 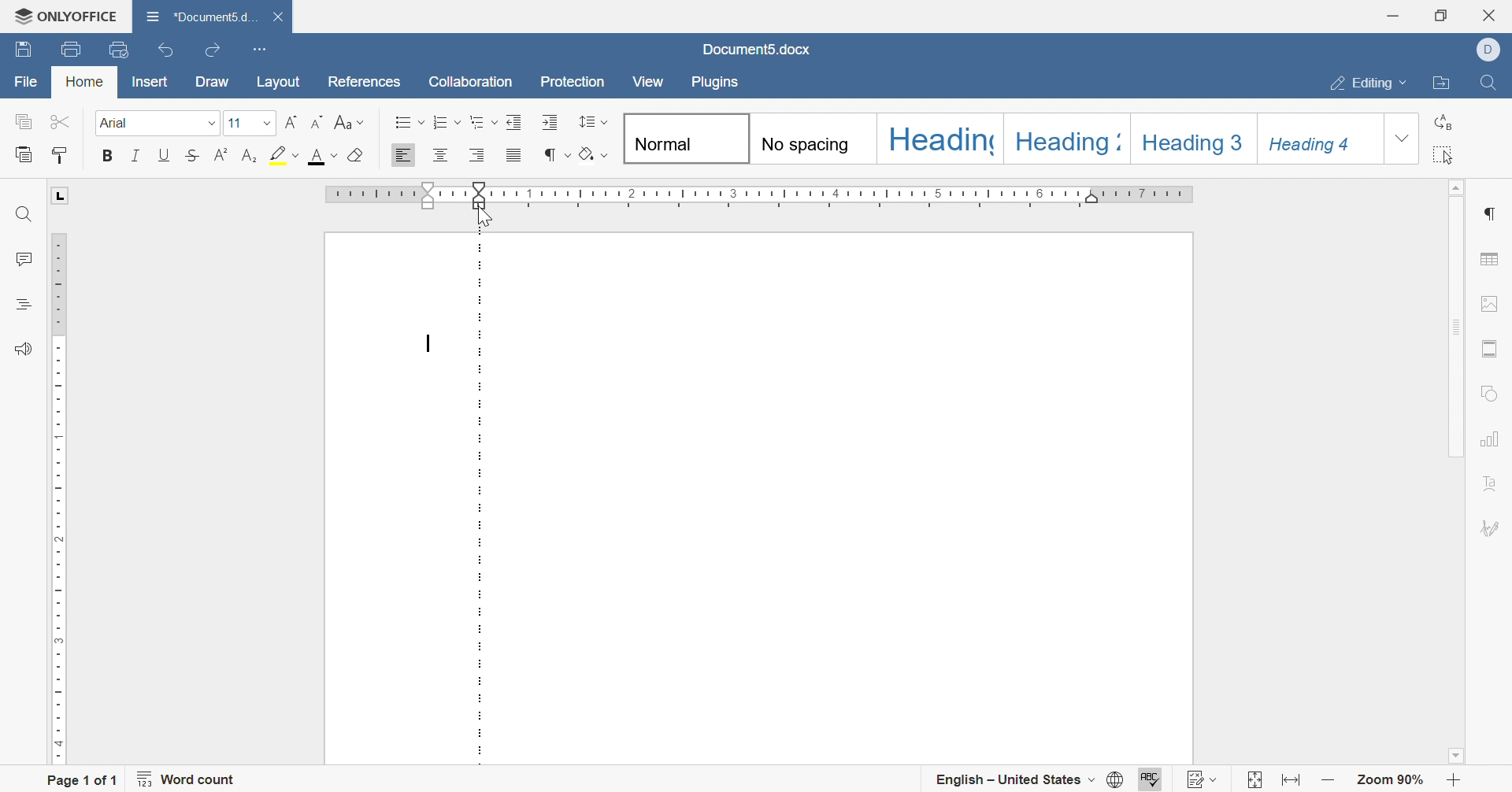 I want to click on paragraph settings, so click(x=1492, y=211).